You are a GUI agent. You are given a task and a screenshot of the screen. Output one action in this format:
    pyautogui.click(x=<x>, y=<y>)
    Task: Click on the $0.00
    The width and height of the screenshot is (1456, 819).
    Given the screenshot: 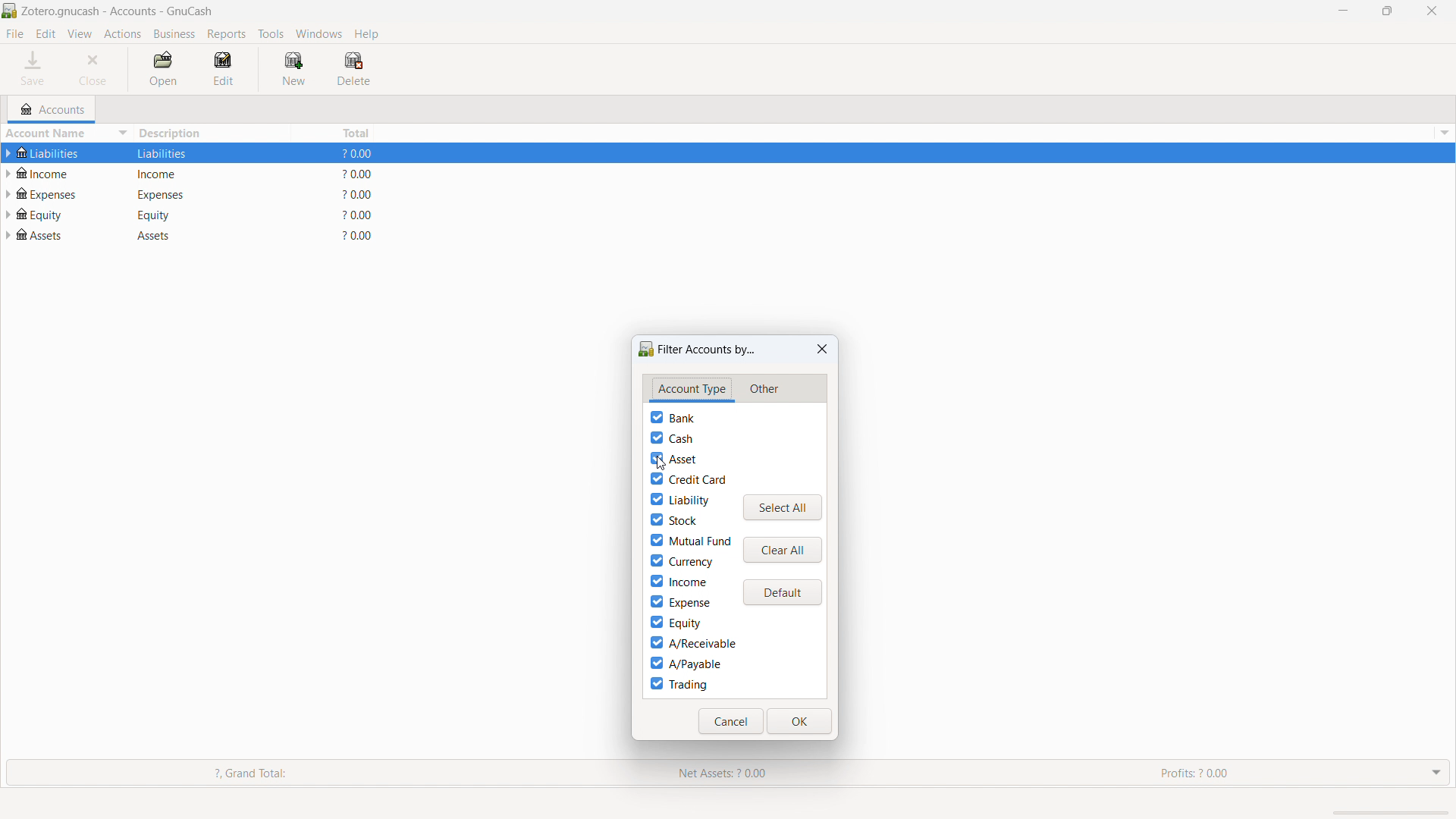 What is the action you would take?
    pyautogui.click(x=359, y=155)
    